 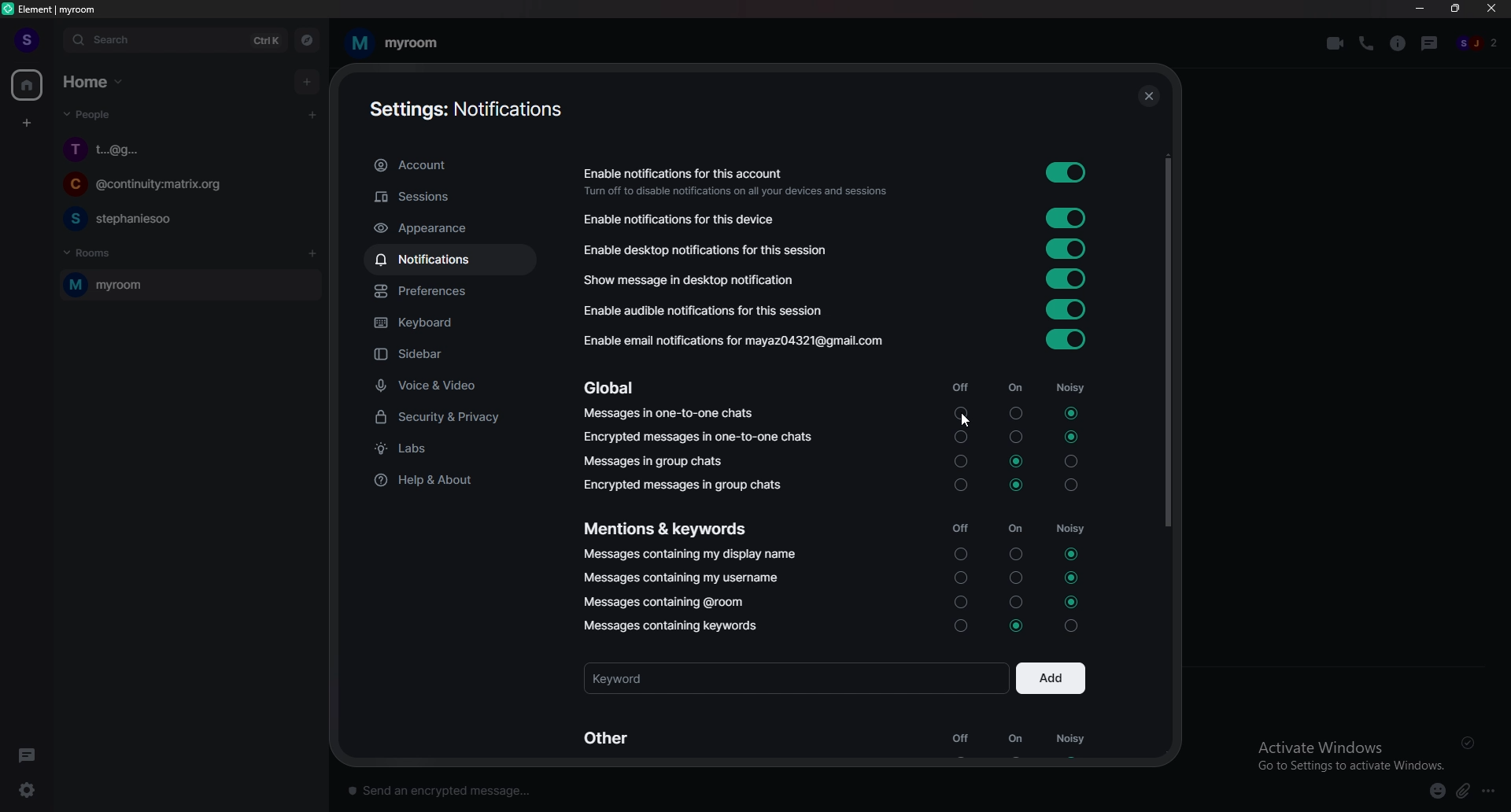 What do you see at coordinates (1013, 504) in the screenshot?
I see `on` at bounding box center [1013, 504].